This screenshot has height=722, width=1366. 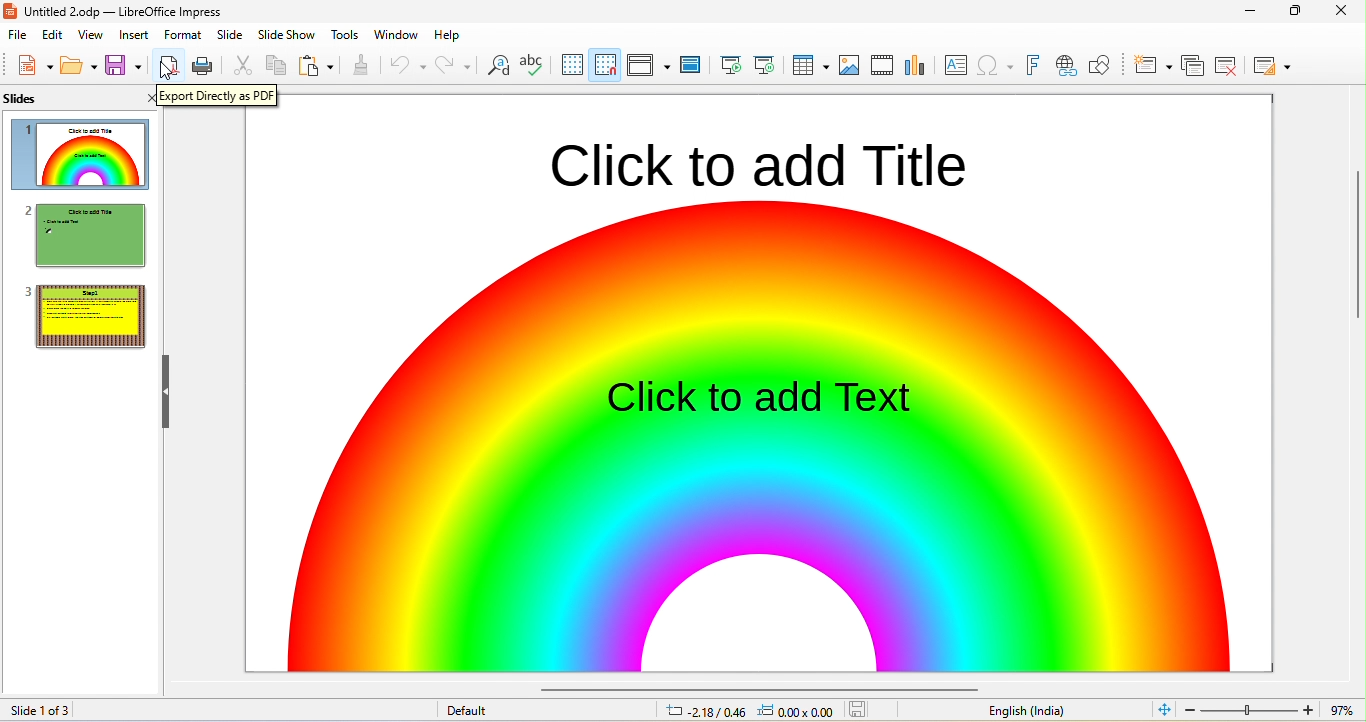 I want to click on slide3, so click(x=82, y=316).